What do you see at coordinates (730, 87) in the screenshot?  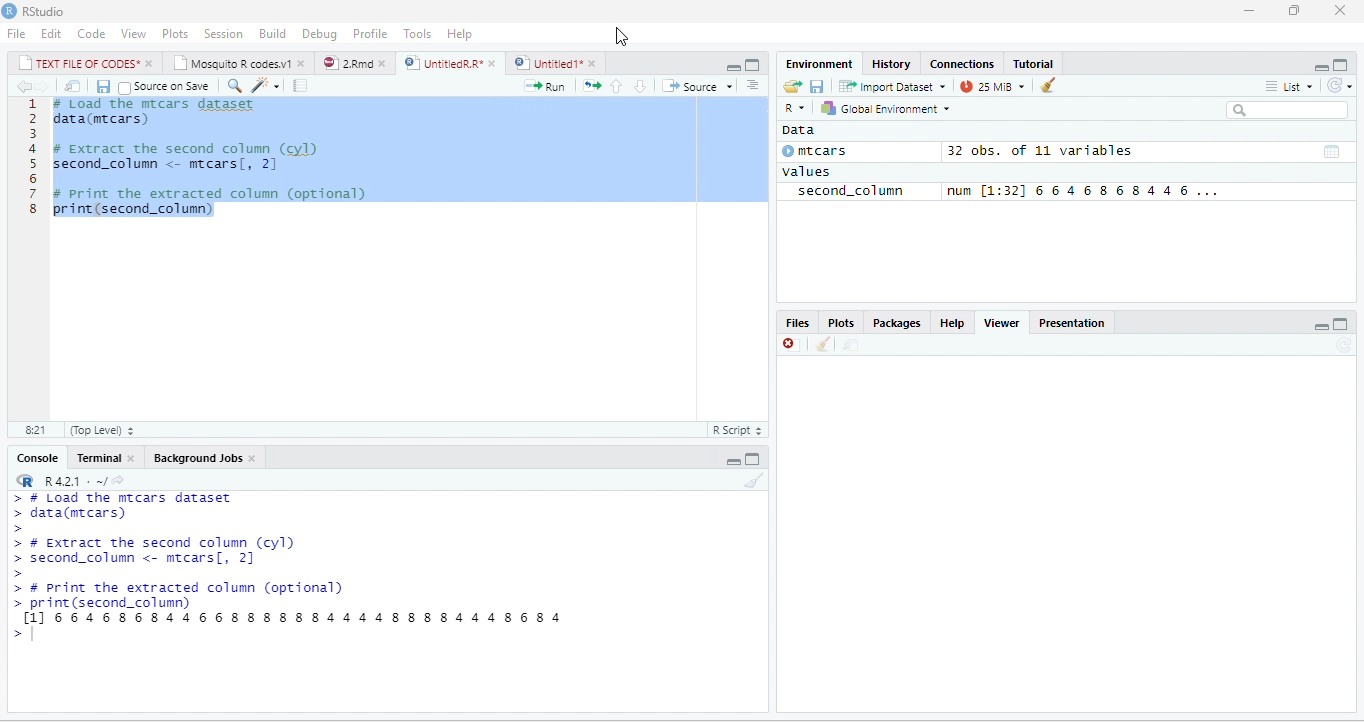 I see `drop down` at bounding box center [730, 87].